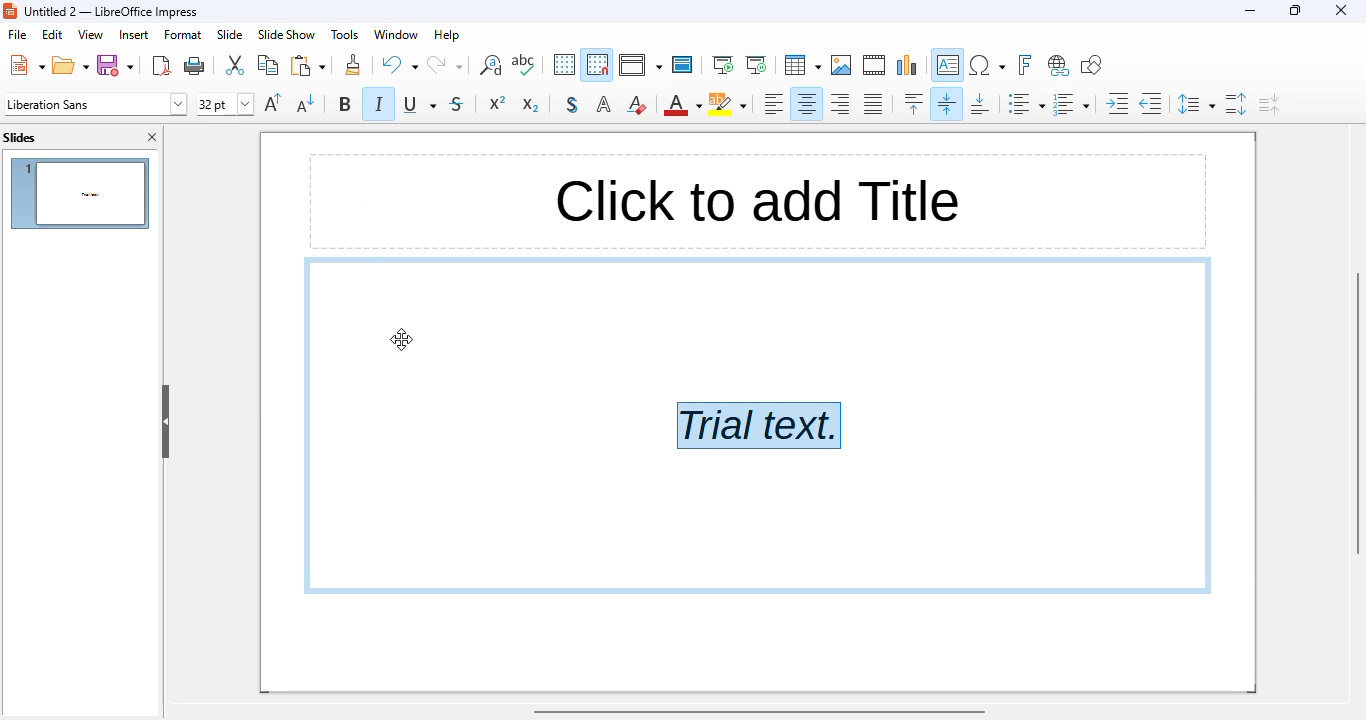  What do you see at coordinates (682, 106) in the screenshot?
I see `font color` at bounding box center [682, 106].